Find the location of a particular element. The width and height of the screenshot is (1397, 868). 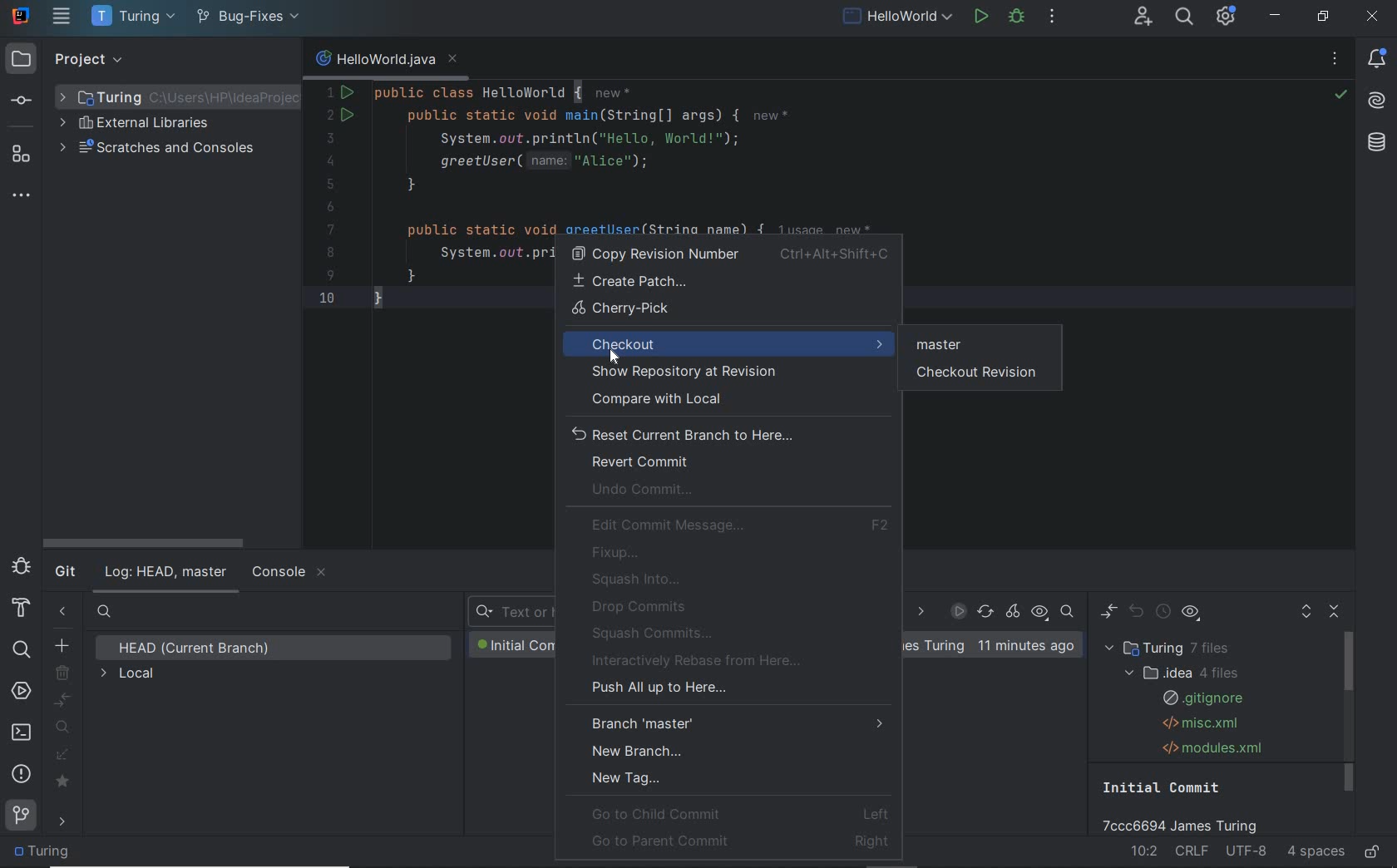

2 is located at coordinates (331, 116).